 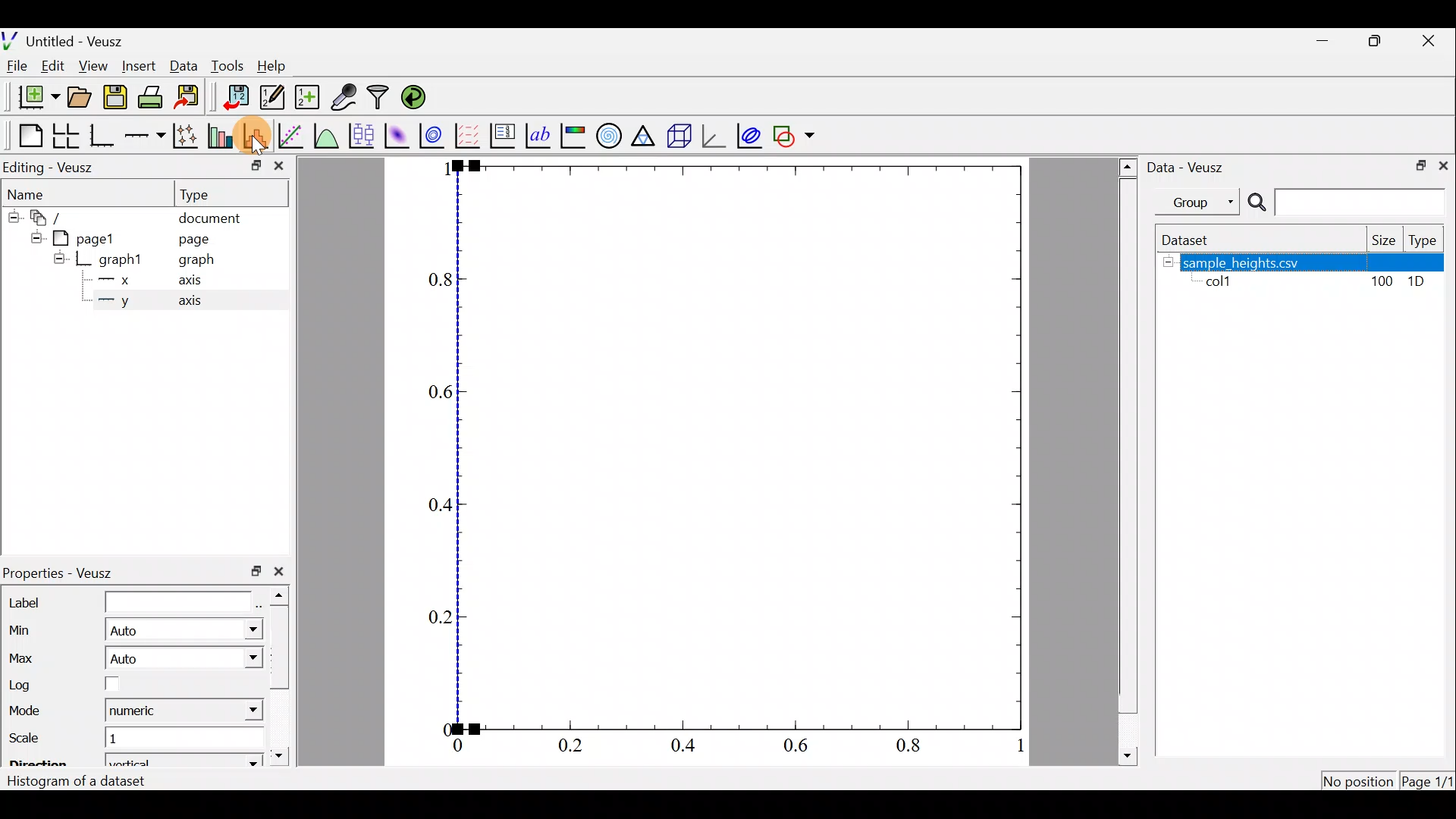 What do you see at coordinates (684, 747) in the screenshot?
I see `0.4` at bounding box center [684, 747].